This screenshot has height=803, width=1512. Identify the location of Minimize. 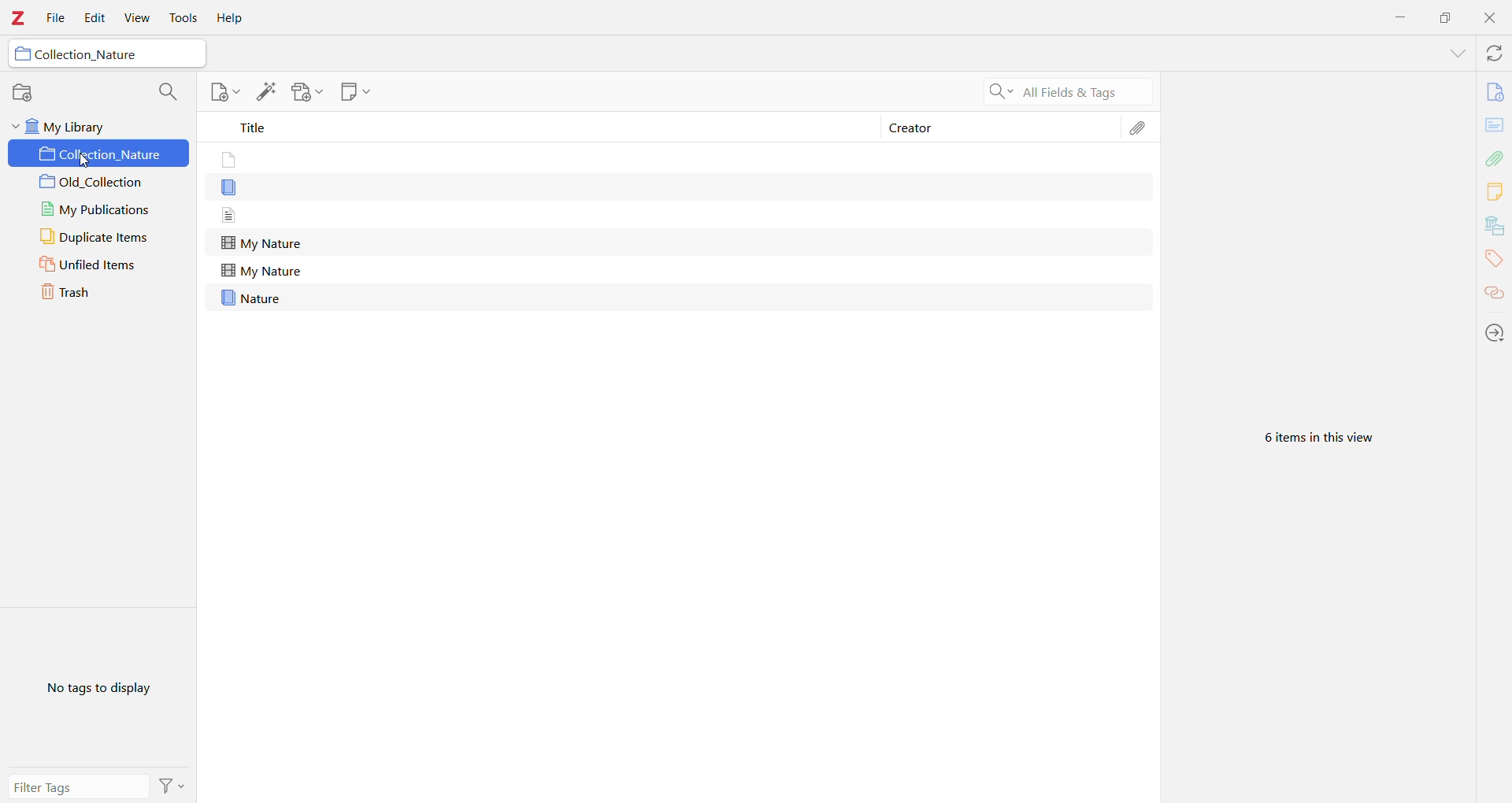
(1403, 16).